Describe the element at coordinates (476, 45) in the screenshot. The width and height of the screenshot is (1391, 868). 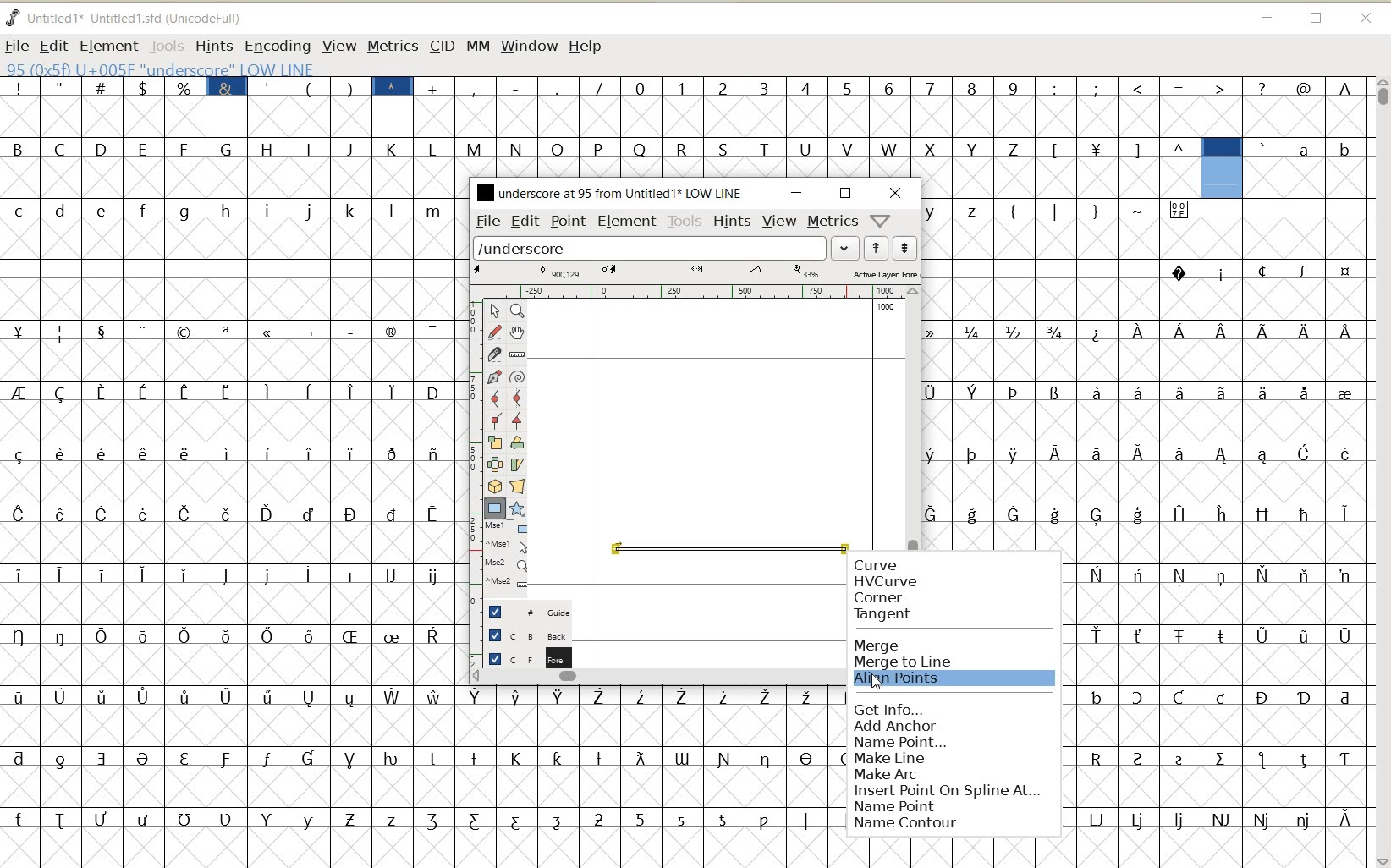
I see `MM` at that location.